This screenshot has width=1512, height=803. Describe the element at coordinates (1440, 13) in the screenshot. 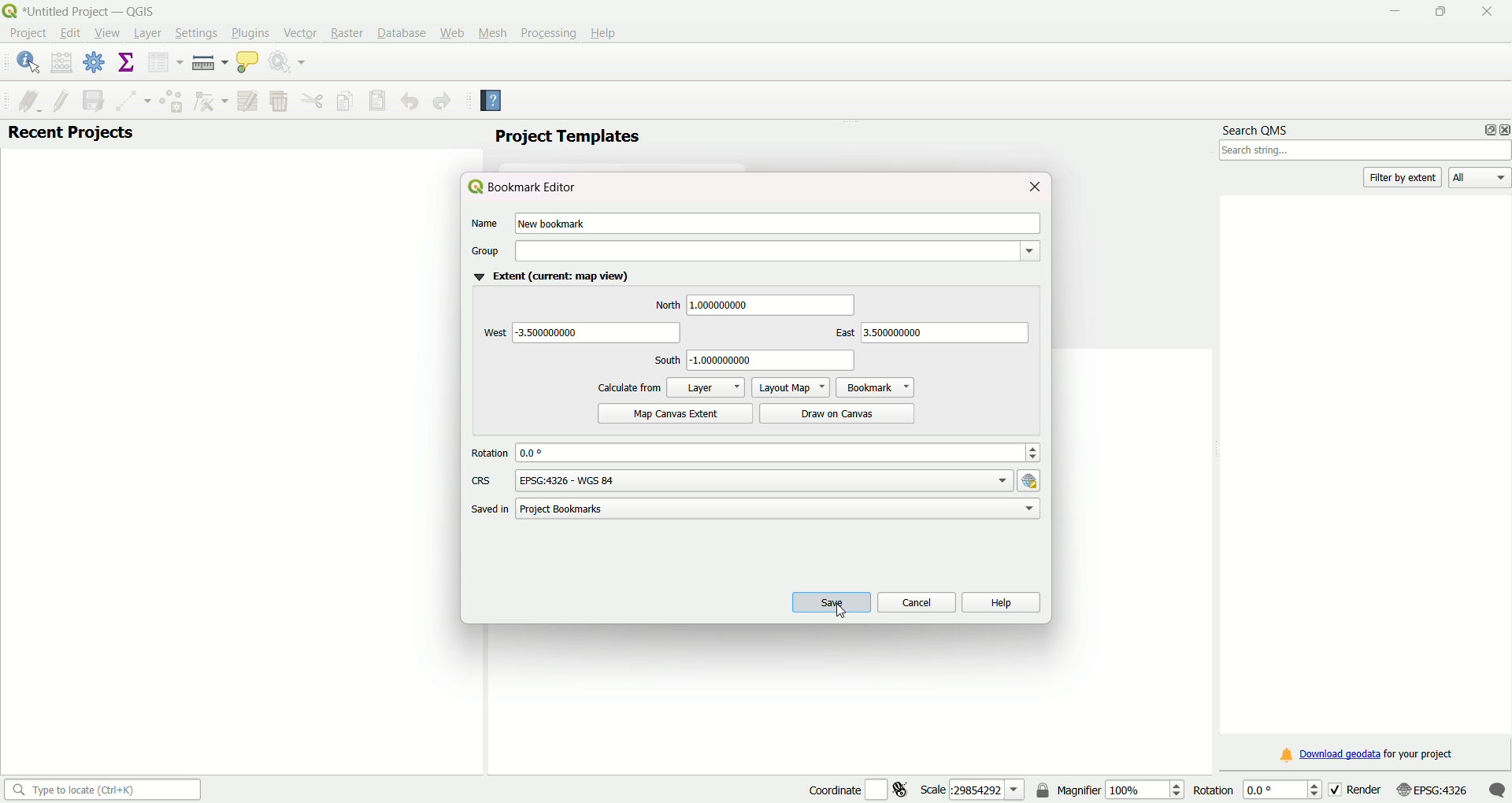

I see `Maximize` at that location.